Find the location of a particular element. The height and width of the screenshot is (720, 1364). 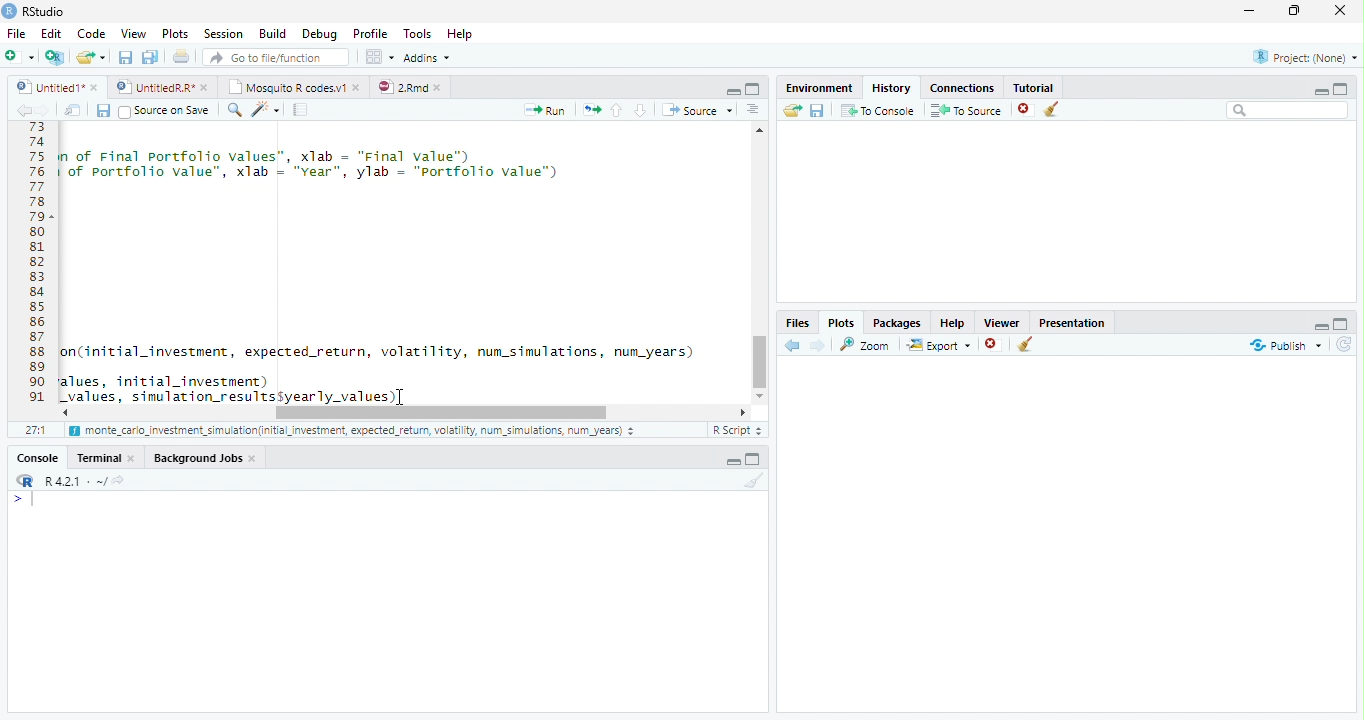

Search is located at coordinates (1288, 110).